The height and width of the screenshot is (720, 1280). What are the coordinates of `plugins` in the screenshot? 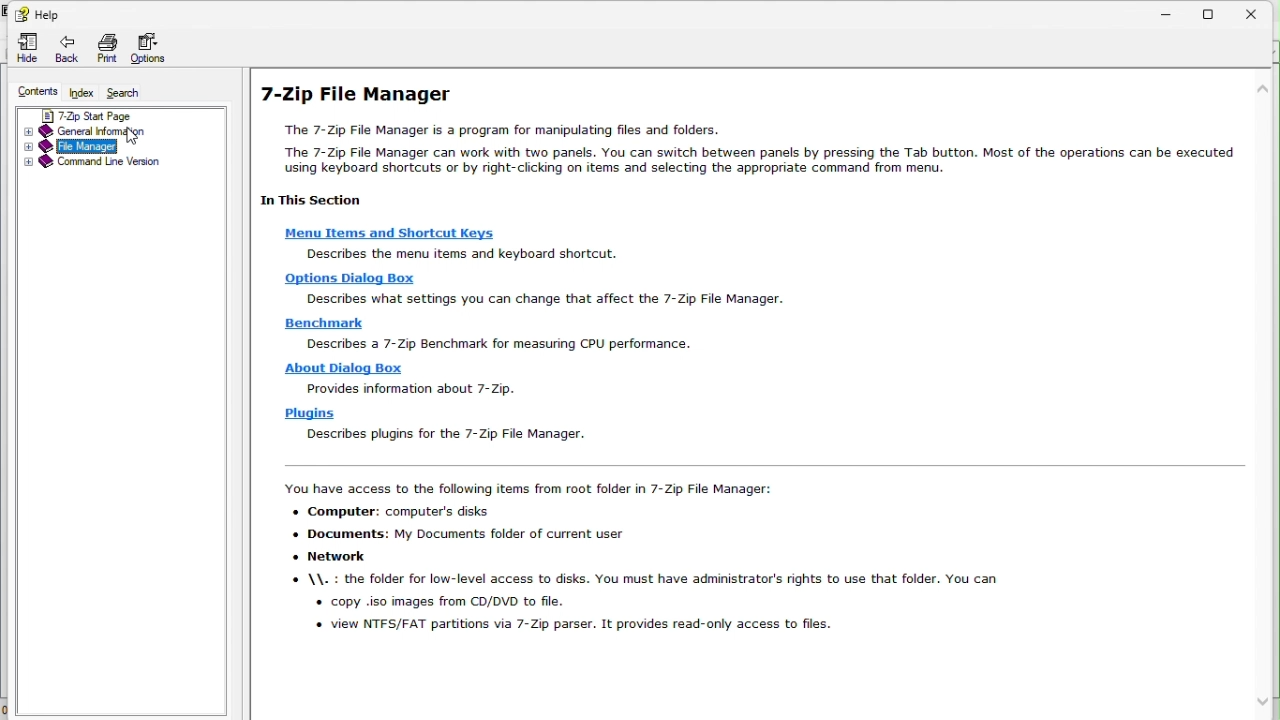 It's located at (311, 415).